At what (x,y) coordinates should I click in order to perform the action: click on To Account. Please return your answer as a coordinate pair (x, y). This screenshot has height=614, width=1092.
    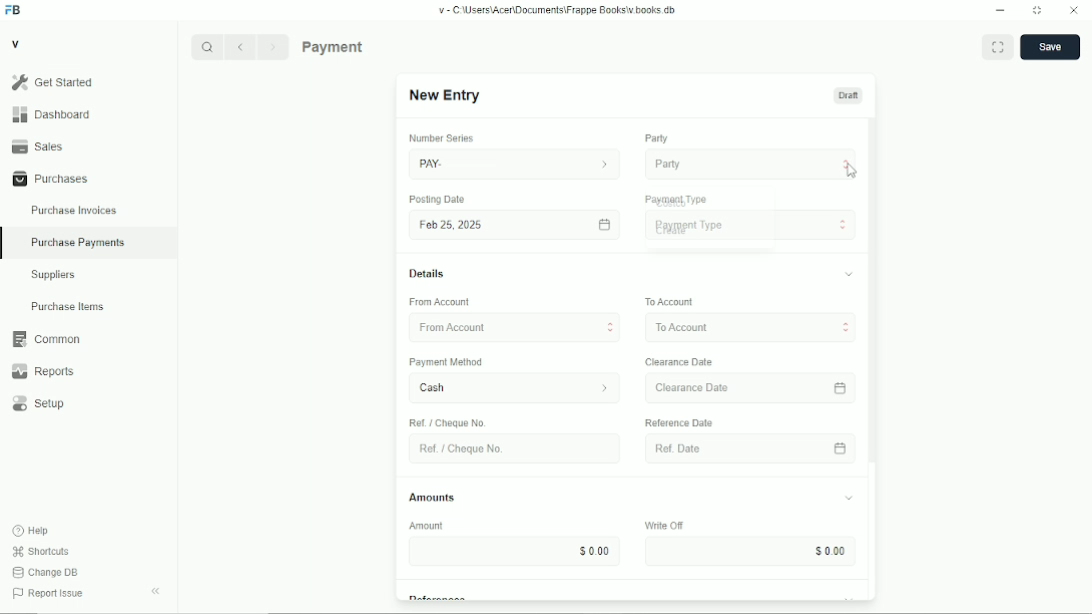
    Looking at the image, I should click on (747, 328).